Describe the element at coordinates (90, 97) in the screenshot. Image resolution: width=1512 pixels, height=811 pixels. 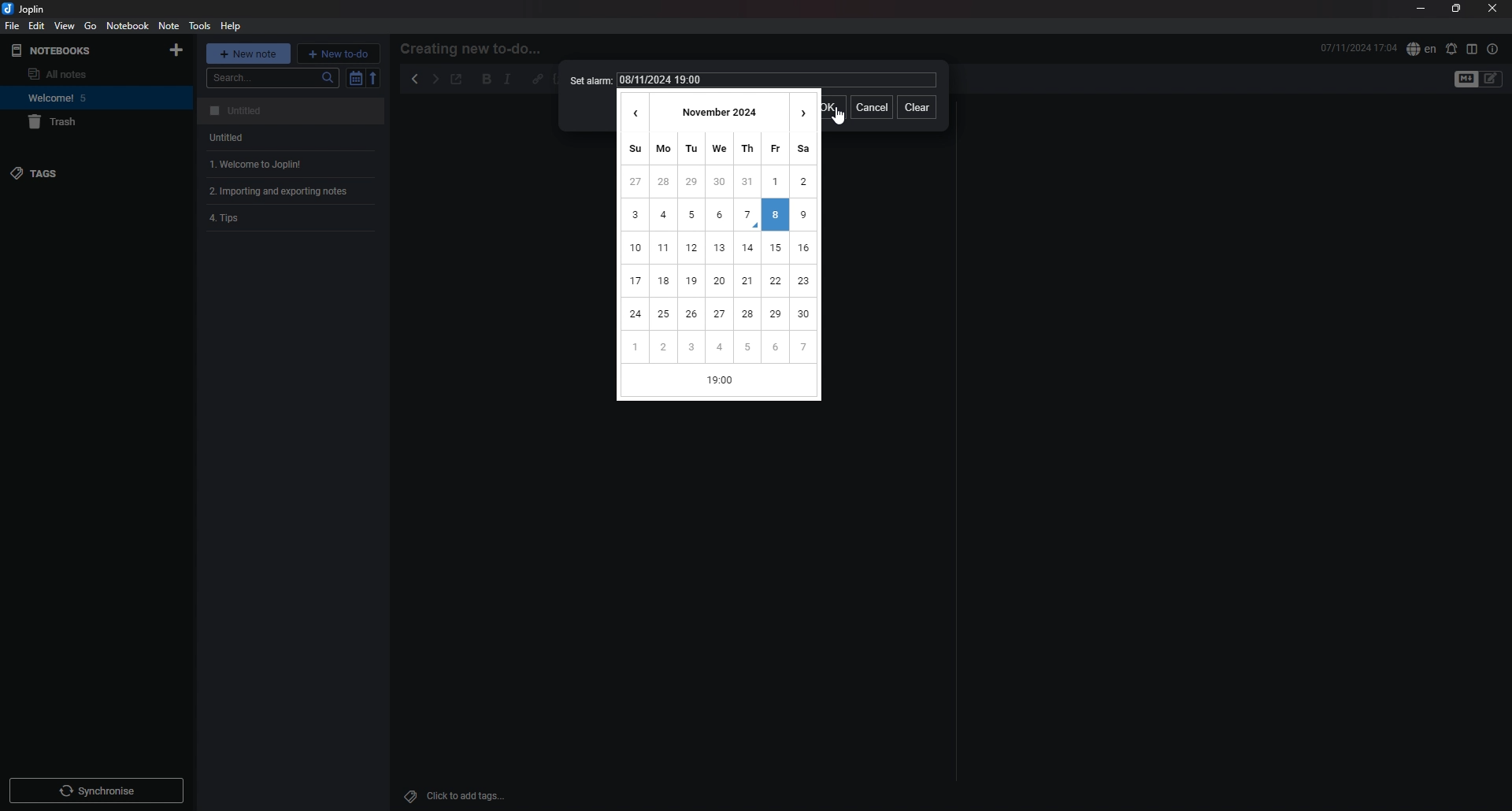
I see `notebook` at that location.